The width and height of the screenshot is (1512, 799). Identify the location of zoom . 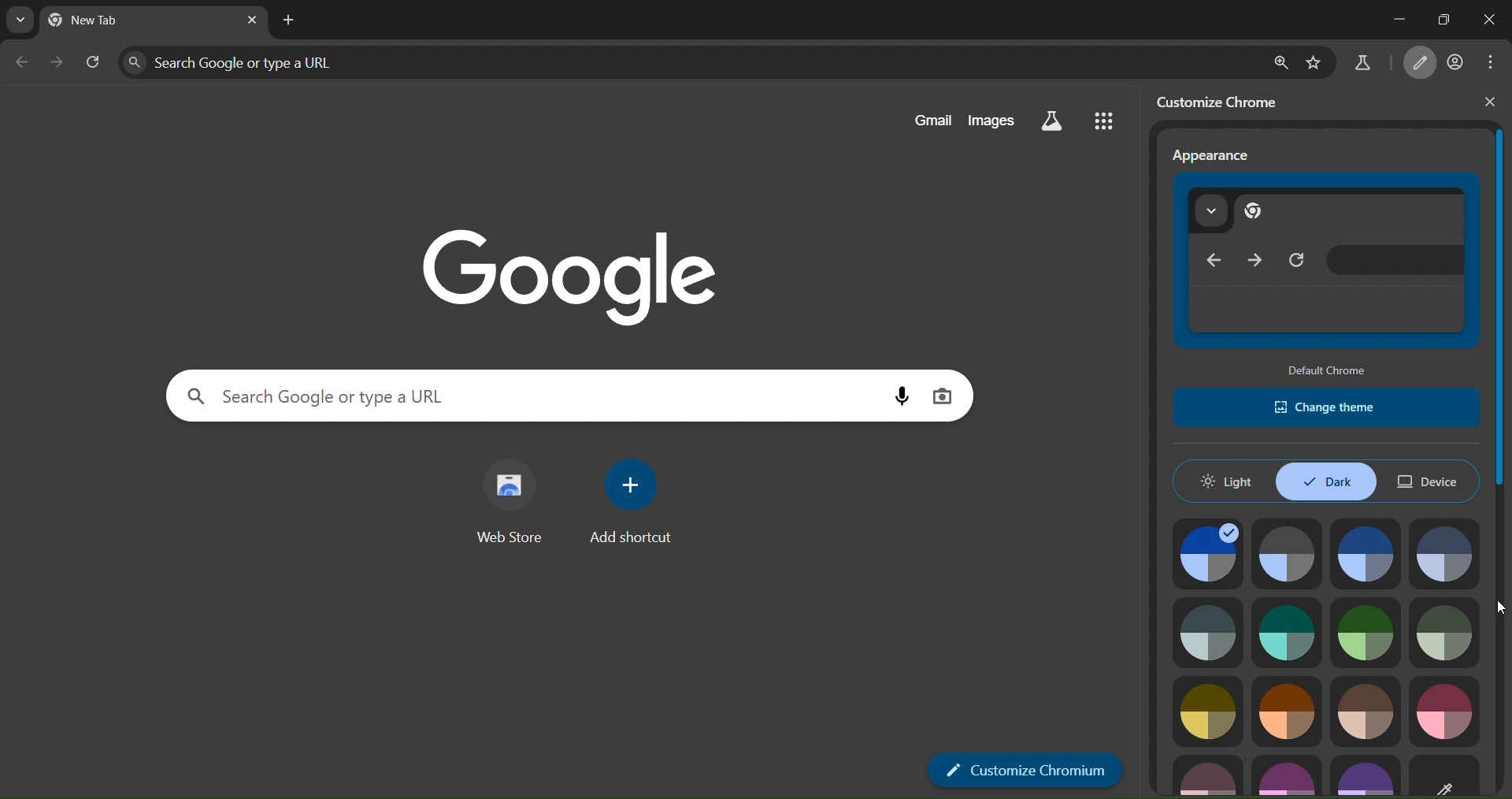
(1280, 59).